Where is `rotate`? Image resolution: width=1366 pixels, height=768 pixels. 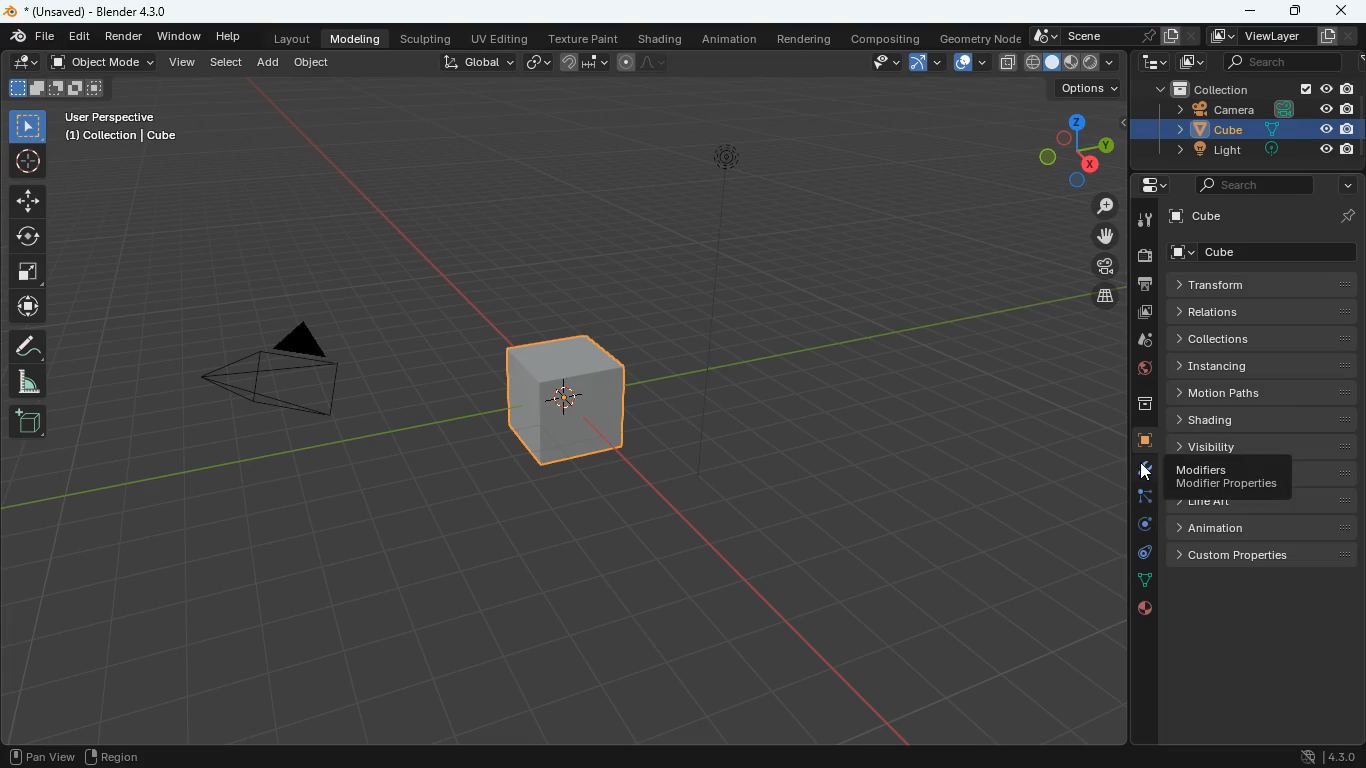
rotate is located at coordinates (27, 239).